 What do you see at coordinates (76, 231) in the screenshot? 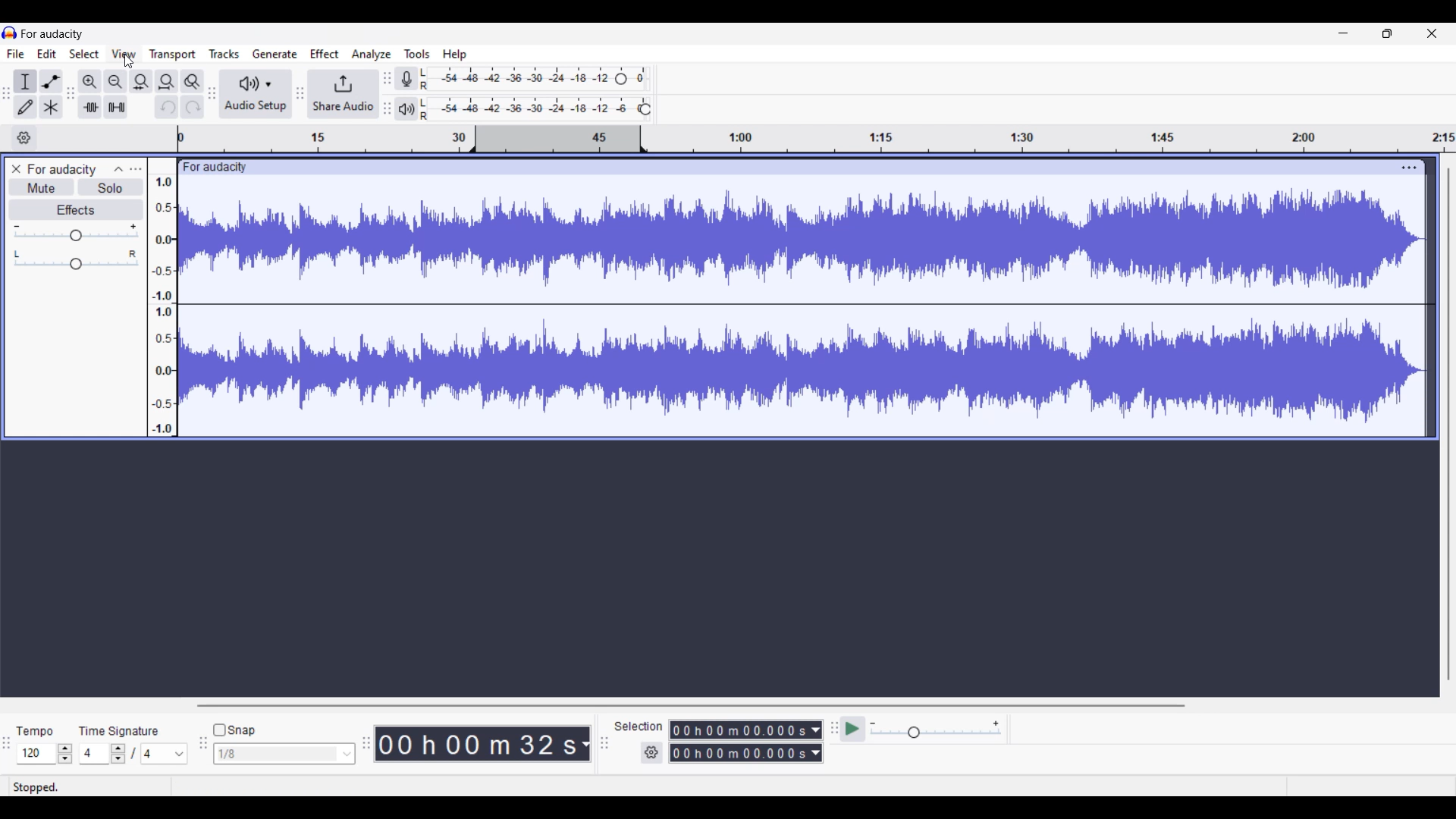
I see `Volume scale` at bounding box center [76, 231].